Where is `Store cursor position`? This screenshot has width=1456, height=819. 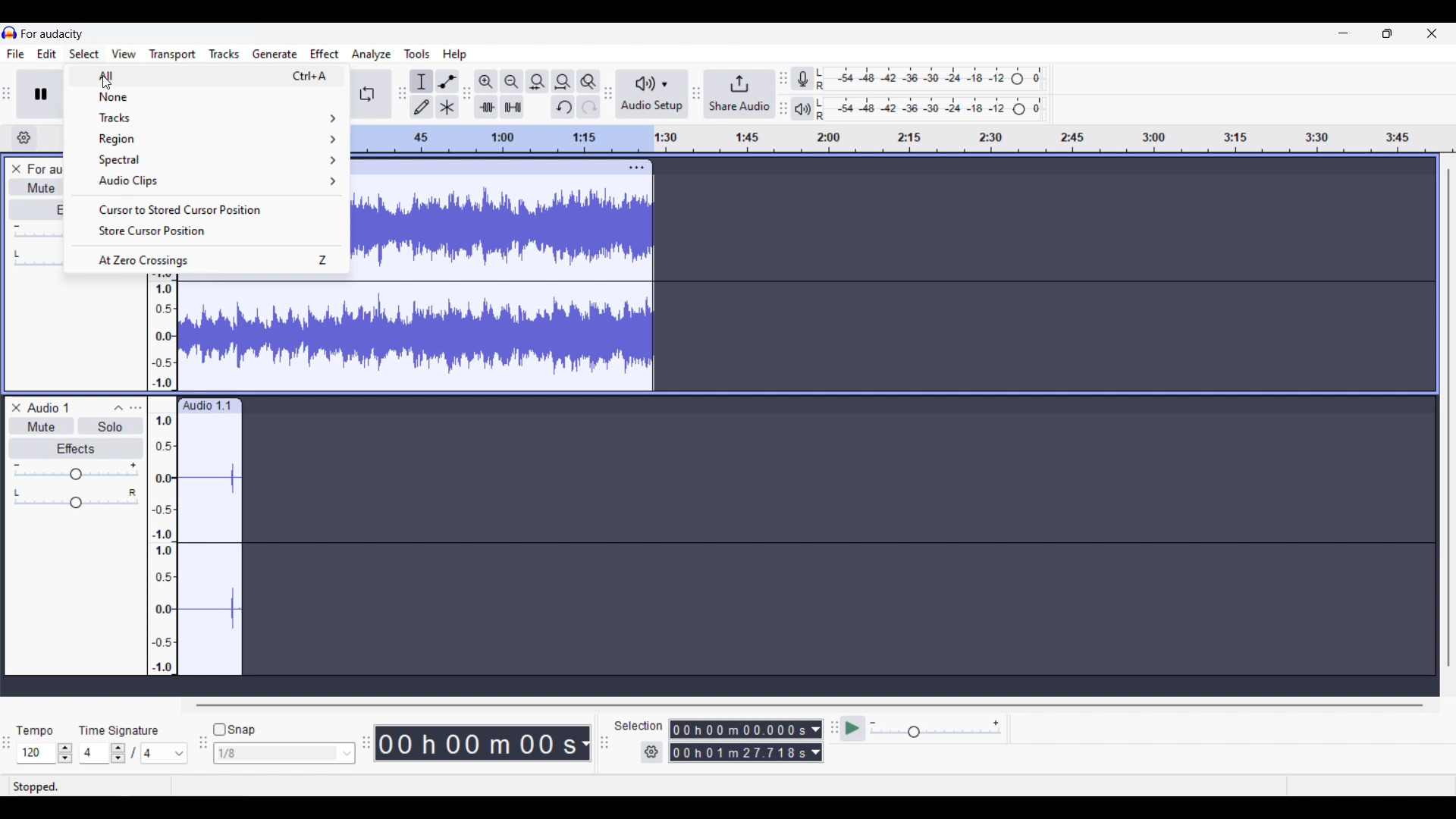
Store cursor position is located at coordinates (206, 231).